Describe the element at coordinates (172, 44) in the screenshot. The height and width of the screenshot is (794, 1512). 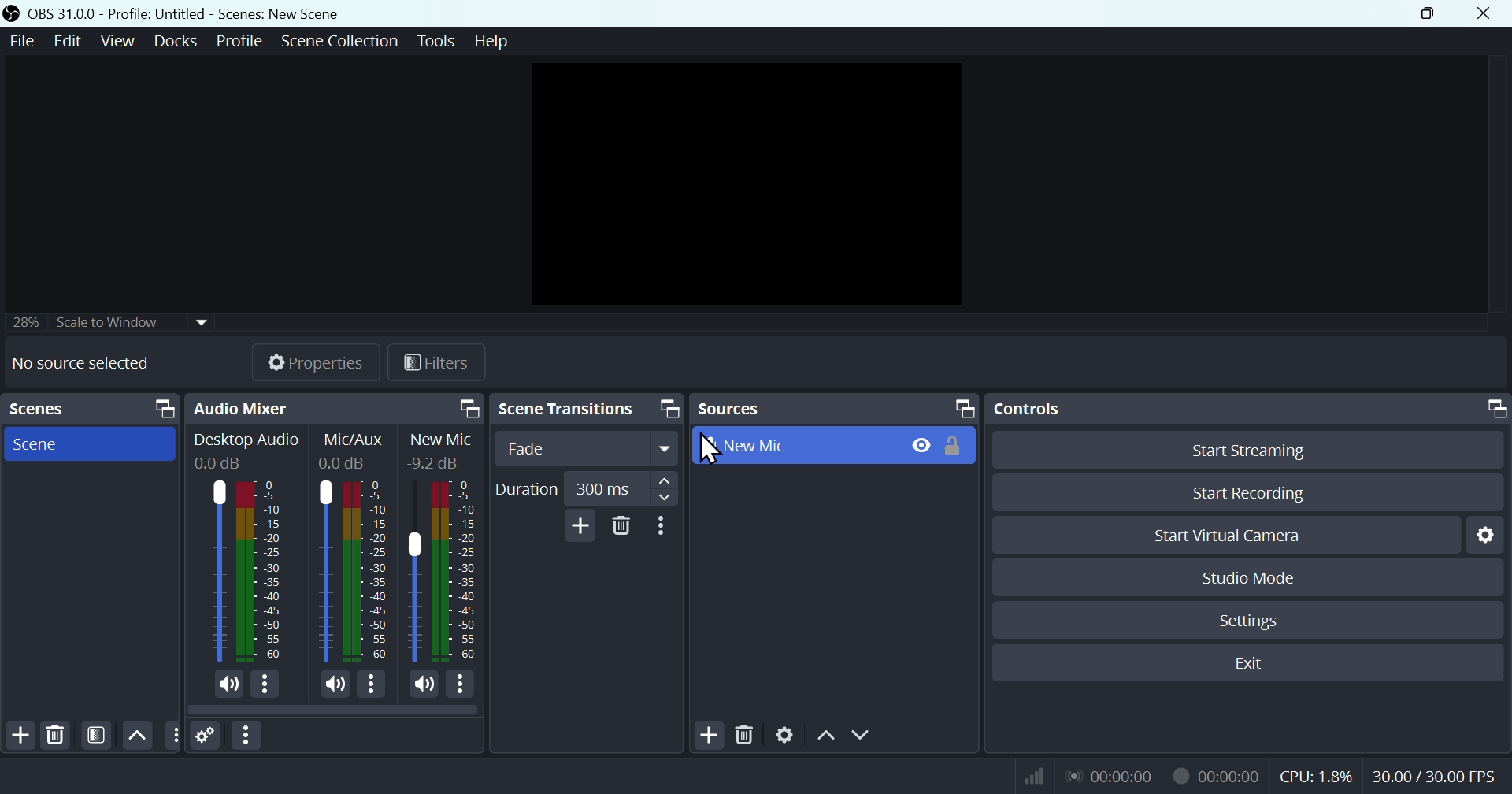
I see `Docks` at that location.